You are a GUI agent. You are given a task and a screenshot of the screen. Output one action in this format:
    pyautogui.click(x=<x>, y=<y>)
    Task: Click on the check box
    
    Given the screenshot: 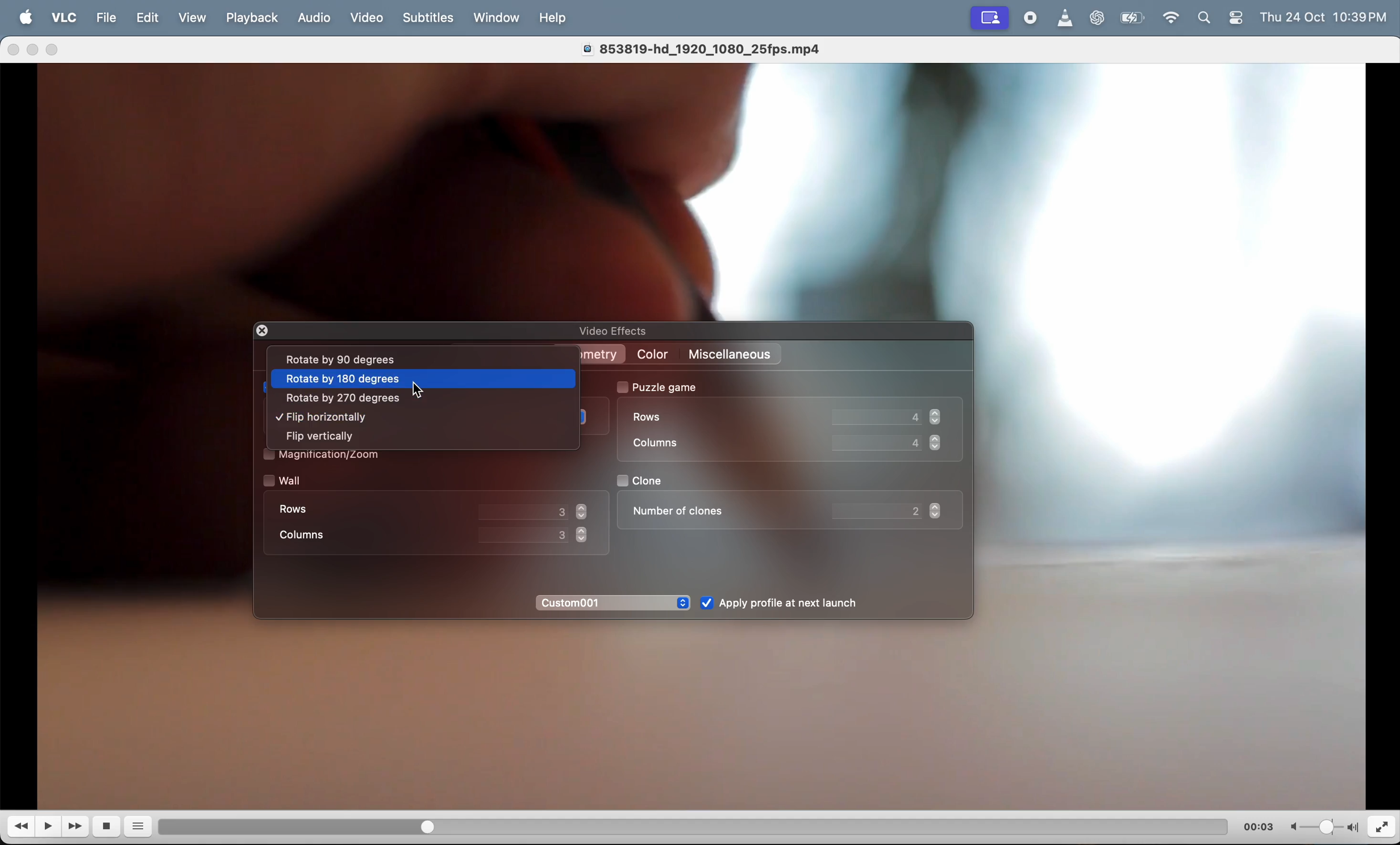 What is the action you would take?
    pyautogui.click(x=706, y=603)
    